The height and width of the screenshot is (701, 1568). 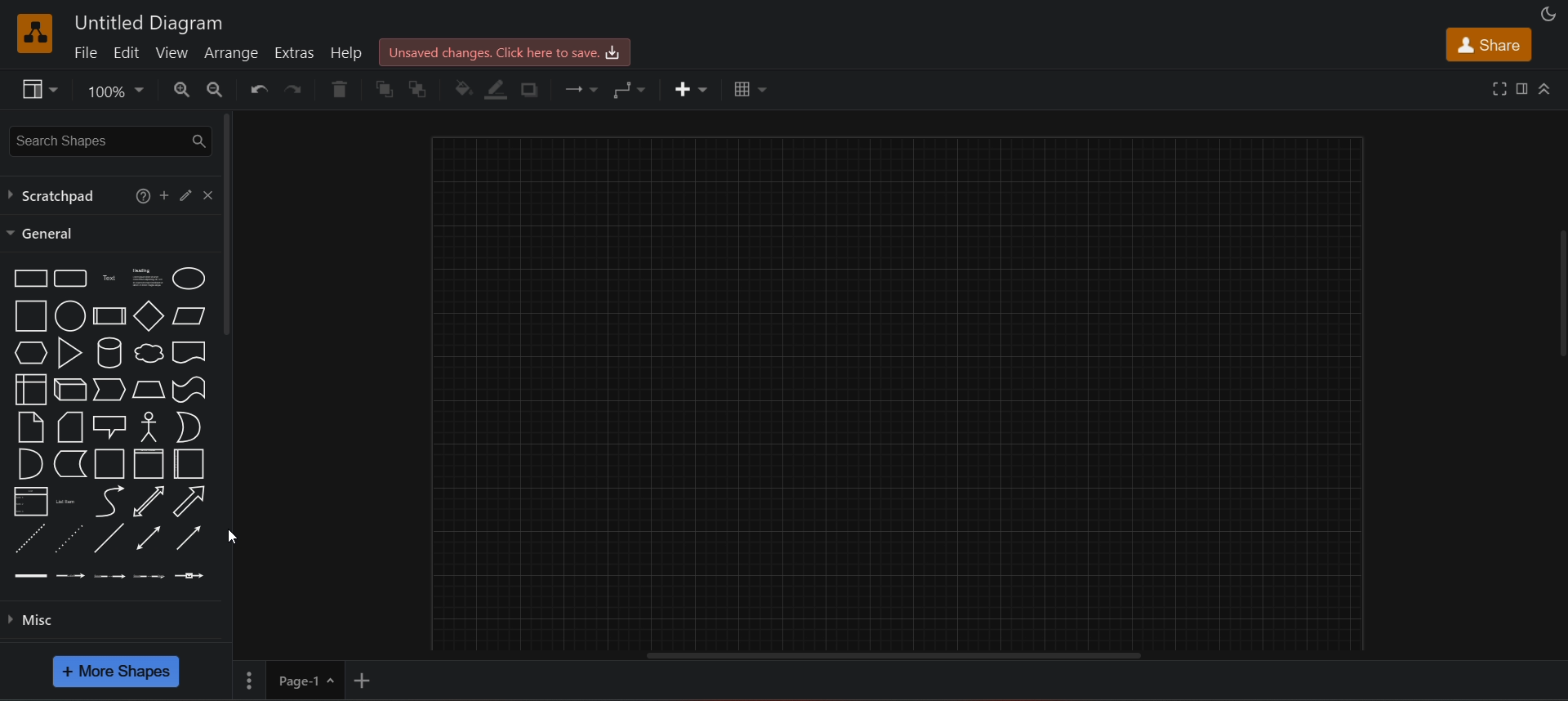 I want to click on file, so click(x=85, y=52).